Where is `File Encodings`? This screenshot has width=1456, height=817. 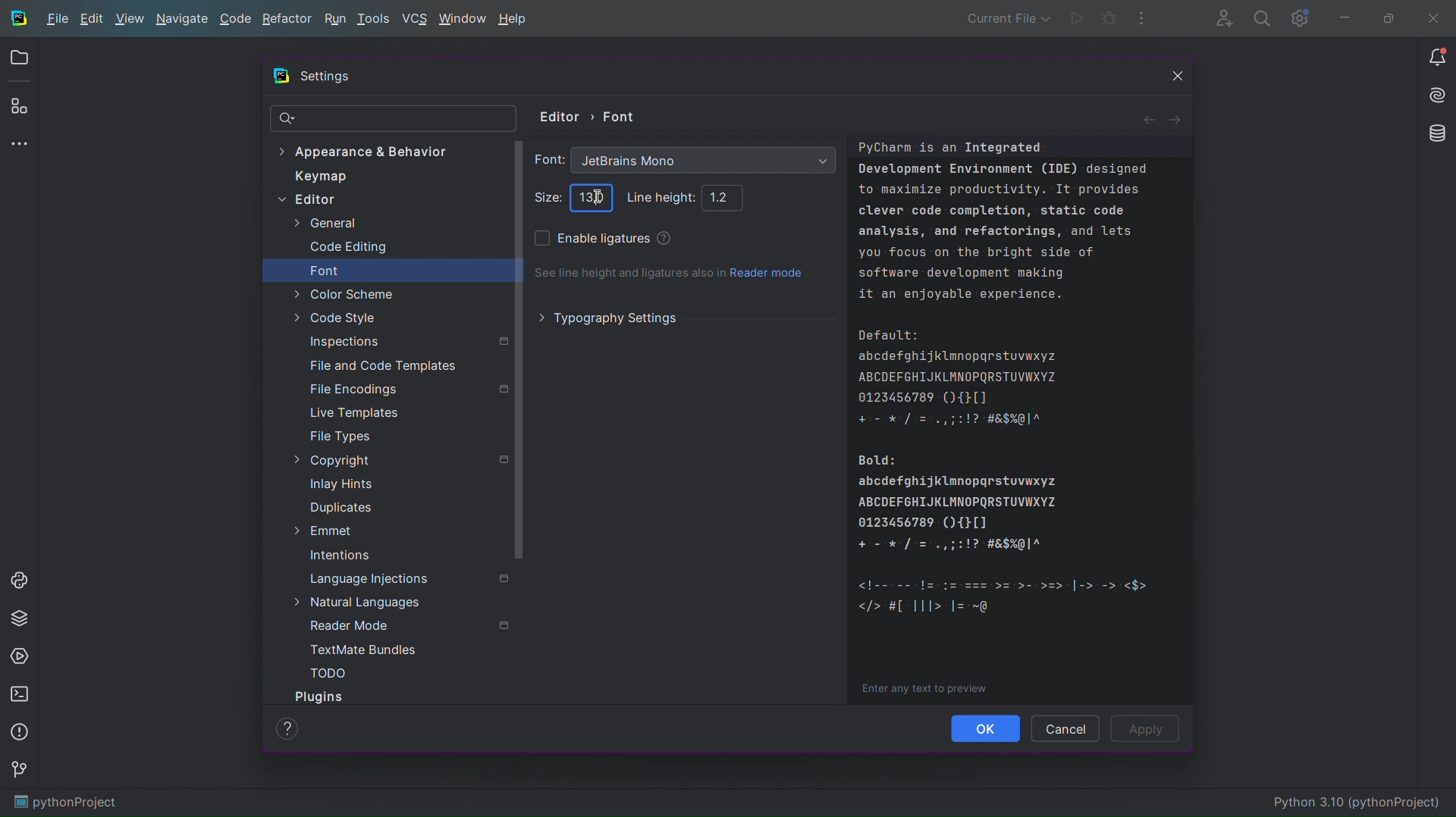
File Encodings is located at coordinates (407, 390).